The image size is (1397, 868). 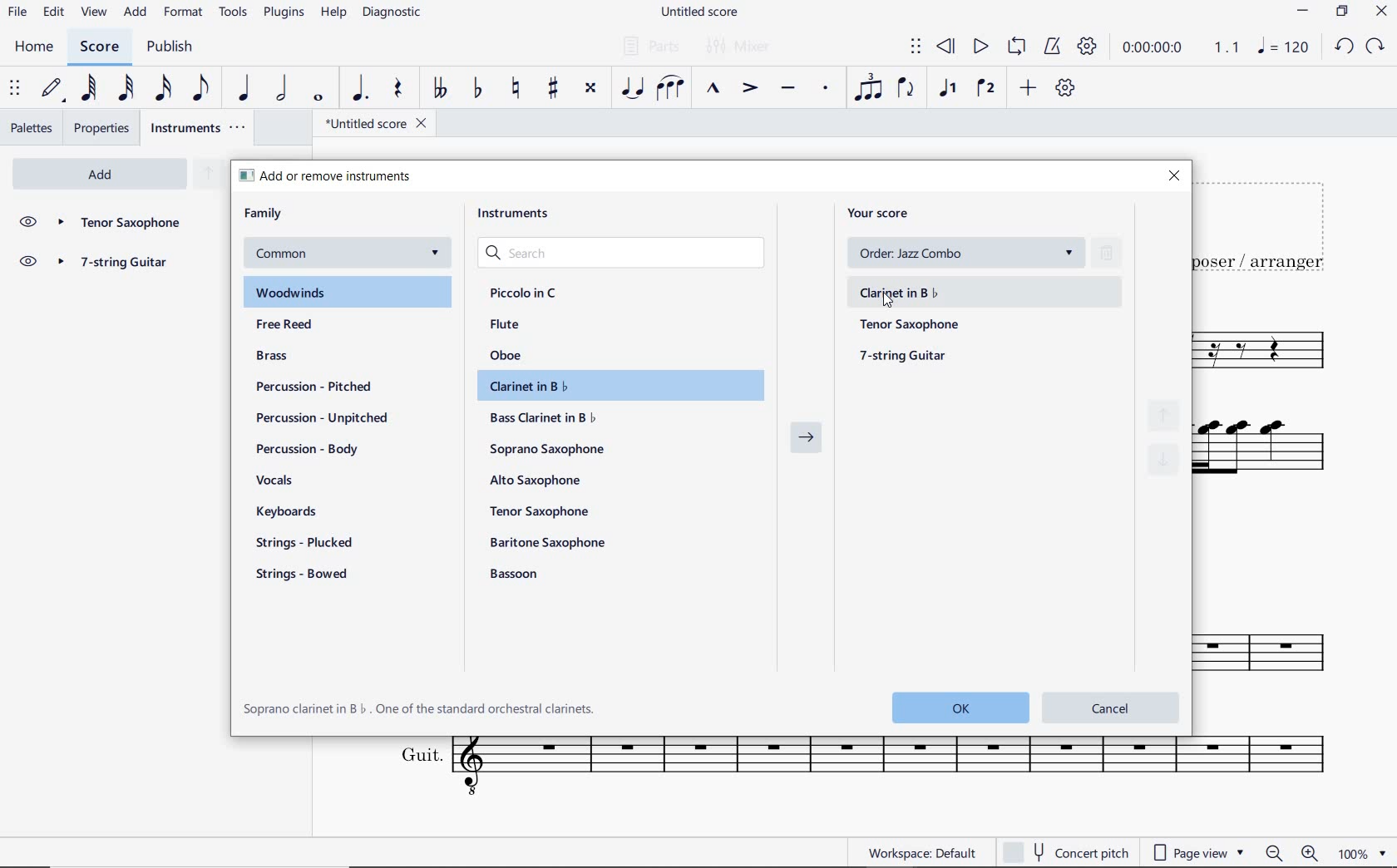 I want to click on HALF NOTE, so click(x=281, y=88).